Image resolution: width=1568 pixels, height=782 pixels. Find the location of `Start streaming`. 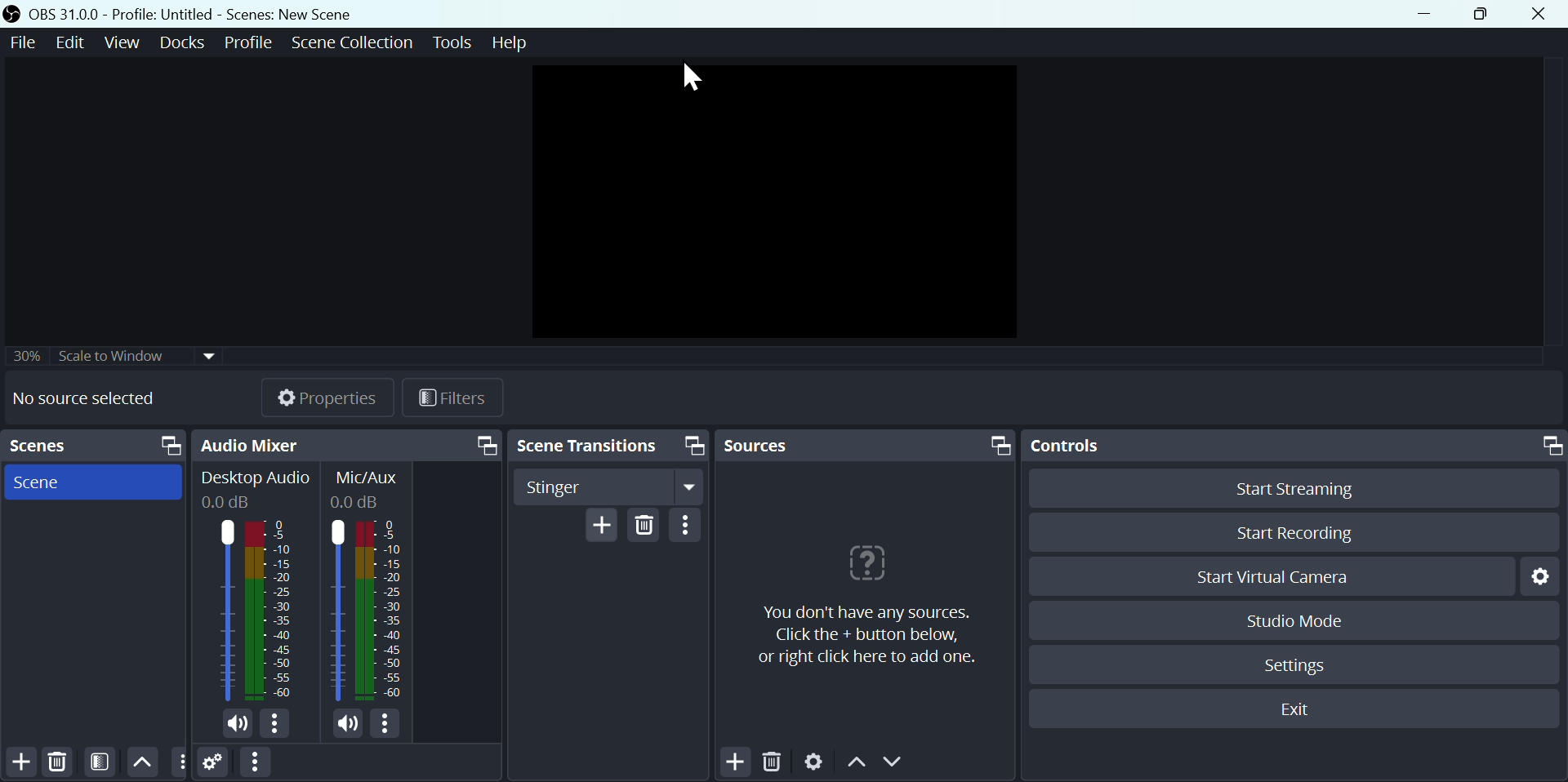

Start streaming is located at coordinates (1288, 487).